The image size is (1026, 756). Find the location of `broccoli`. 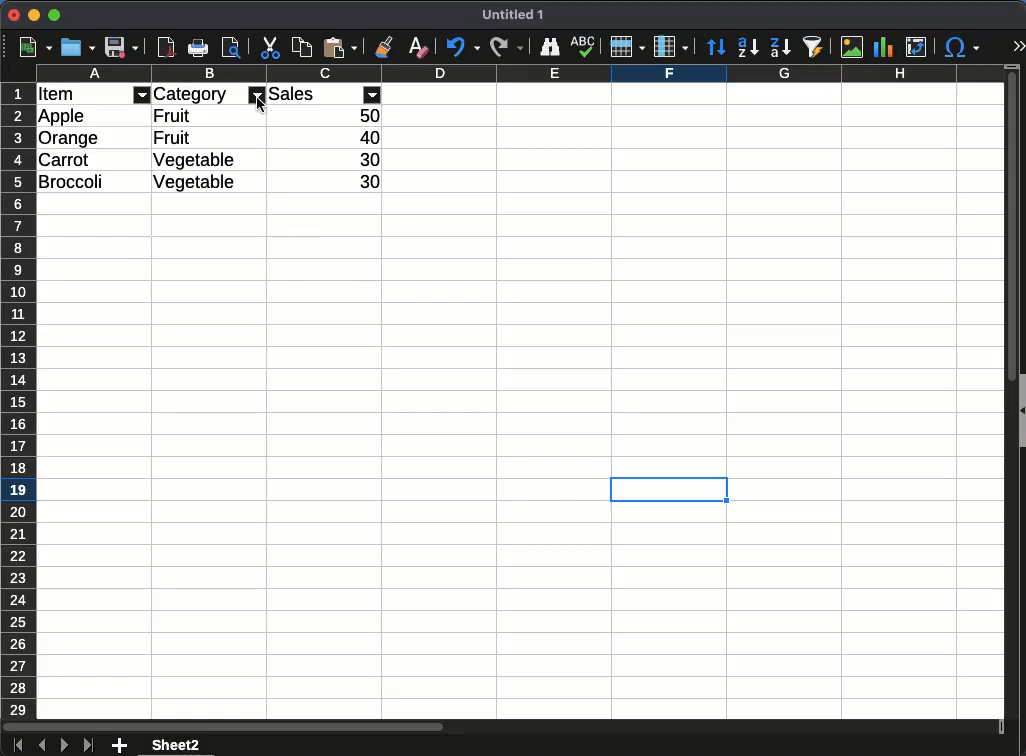

broccoli is located at coordinates (75, 180).